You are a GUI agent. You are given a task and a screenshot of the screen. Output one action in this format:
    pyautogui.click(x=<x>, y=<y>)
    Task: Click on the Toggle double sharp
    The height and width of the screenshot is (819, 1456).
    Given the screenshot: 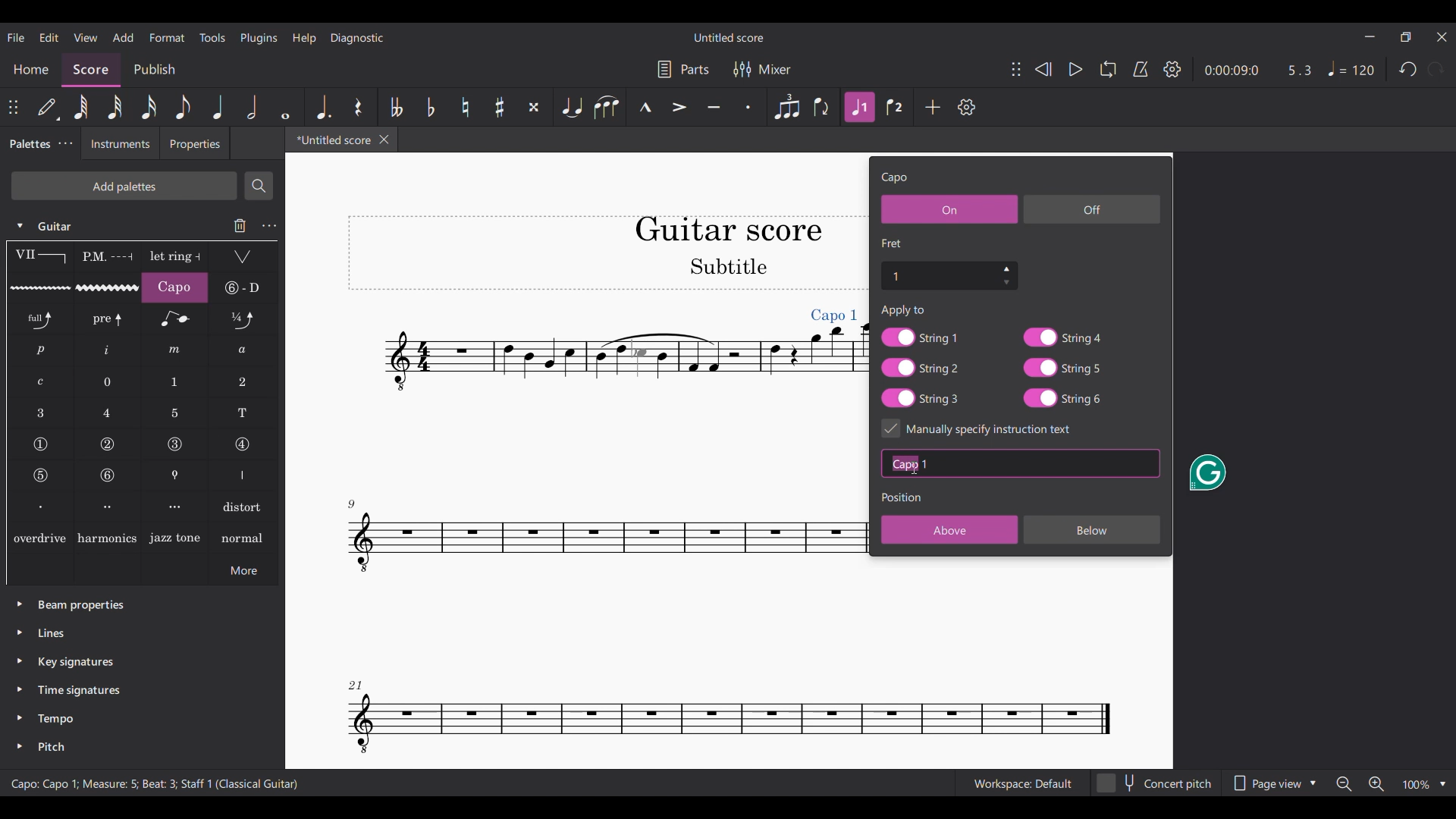 What is the action you would take?
    pyautogui.click(x=534, y=107)
    